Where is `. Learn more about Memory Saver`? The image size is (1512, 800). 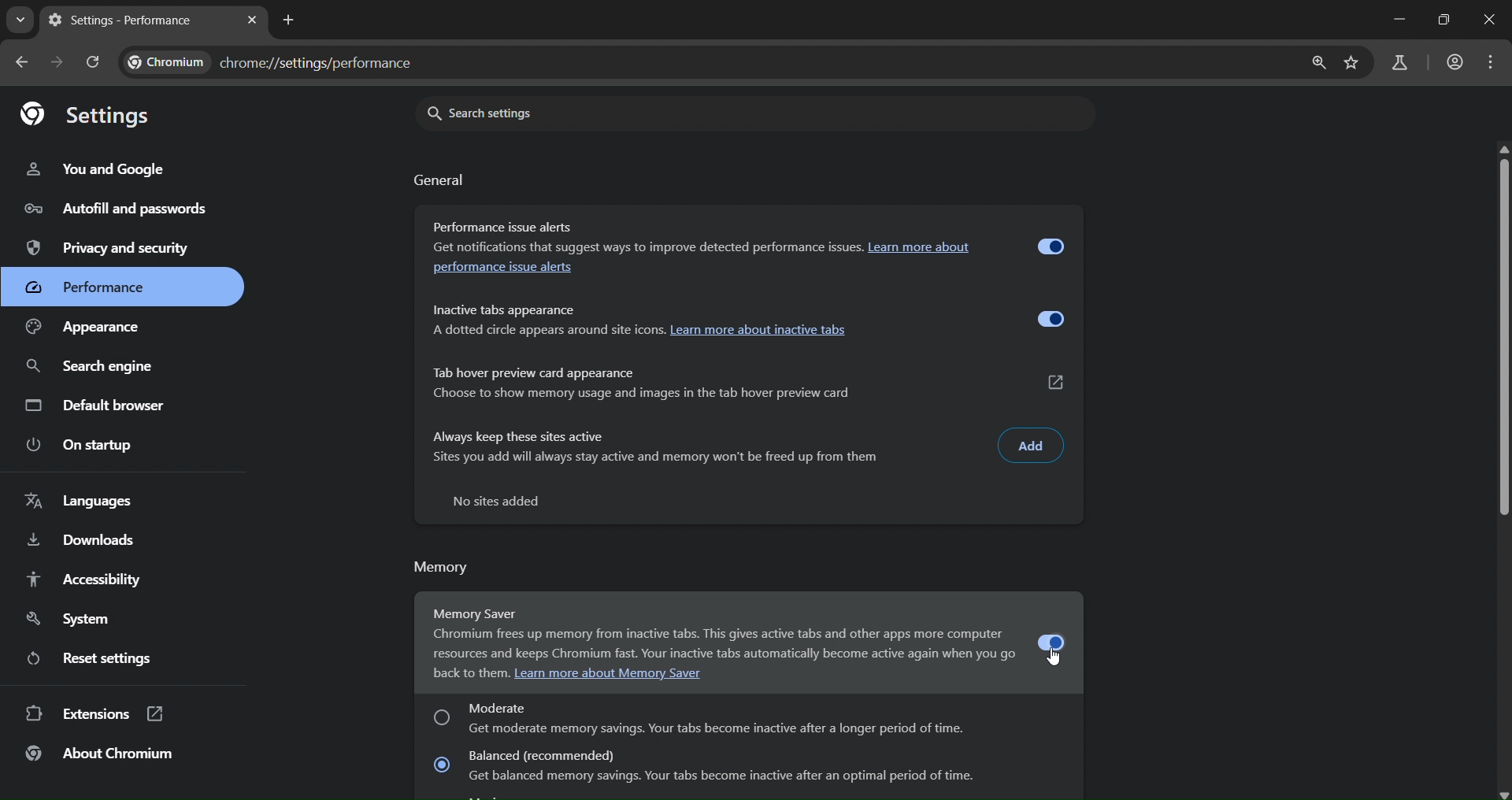 . Learn more about Memory Saver is located at coordinates (609, 676).